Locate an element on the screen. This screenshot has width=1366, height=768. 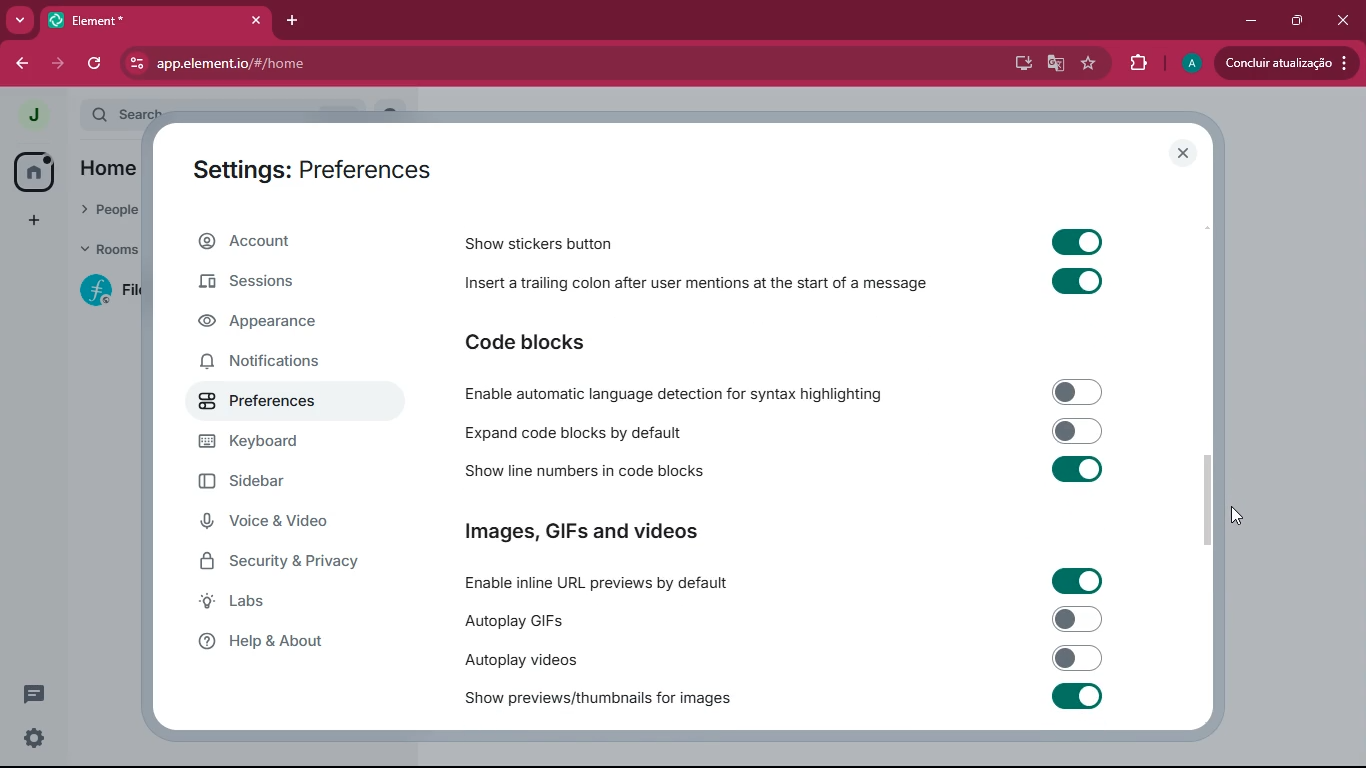
back is located at coordinates (26, 63).